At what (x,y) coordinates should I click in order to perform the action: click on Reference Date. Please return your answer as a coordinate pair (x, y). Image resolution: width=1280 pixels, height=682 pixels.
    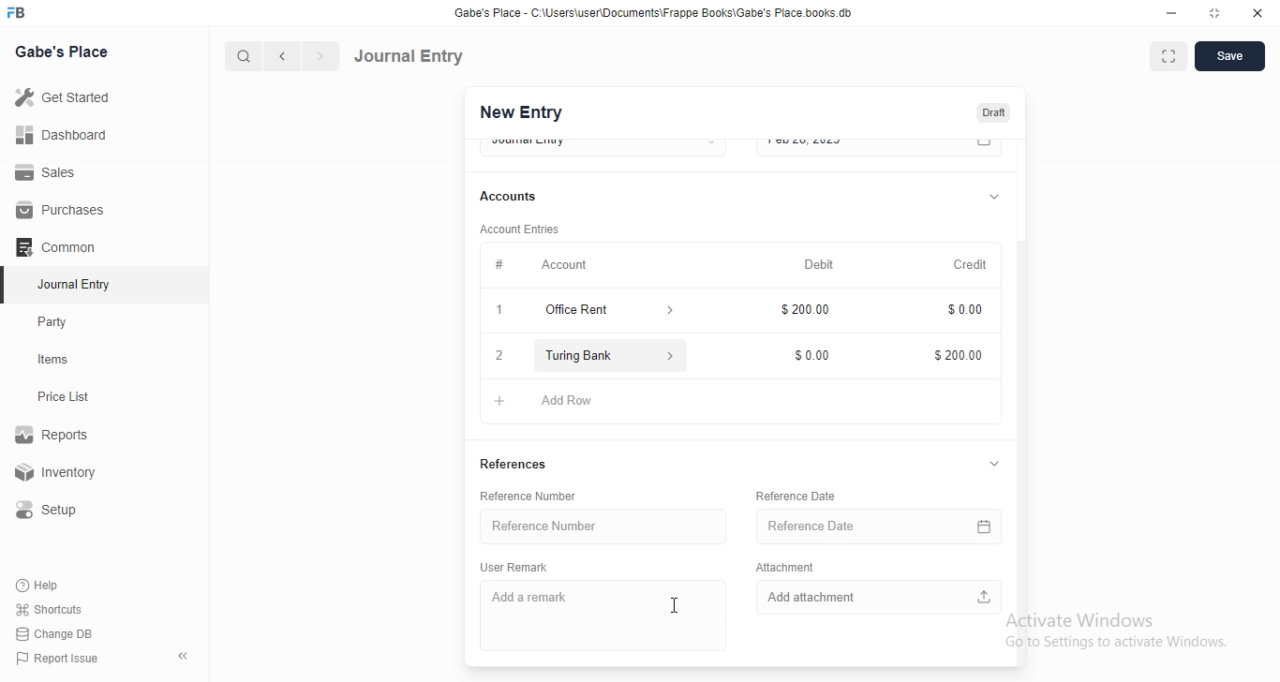
    Looking at the image, I should click on (873, 527).